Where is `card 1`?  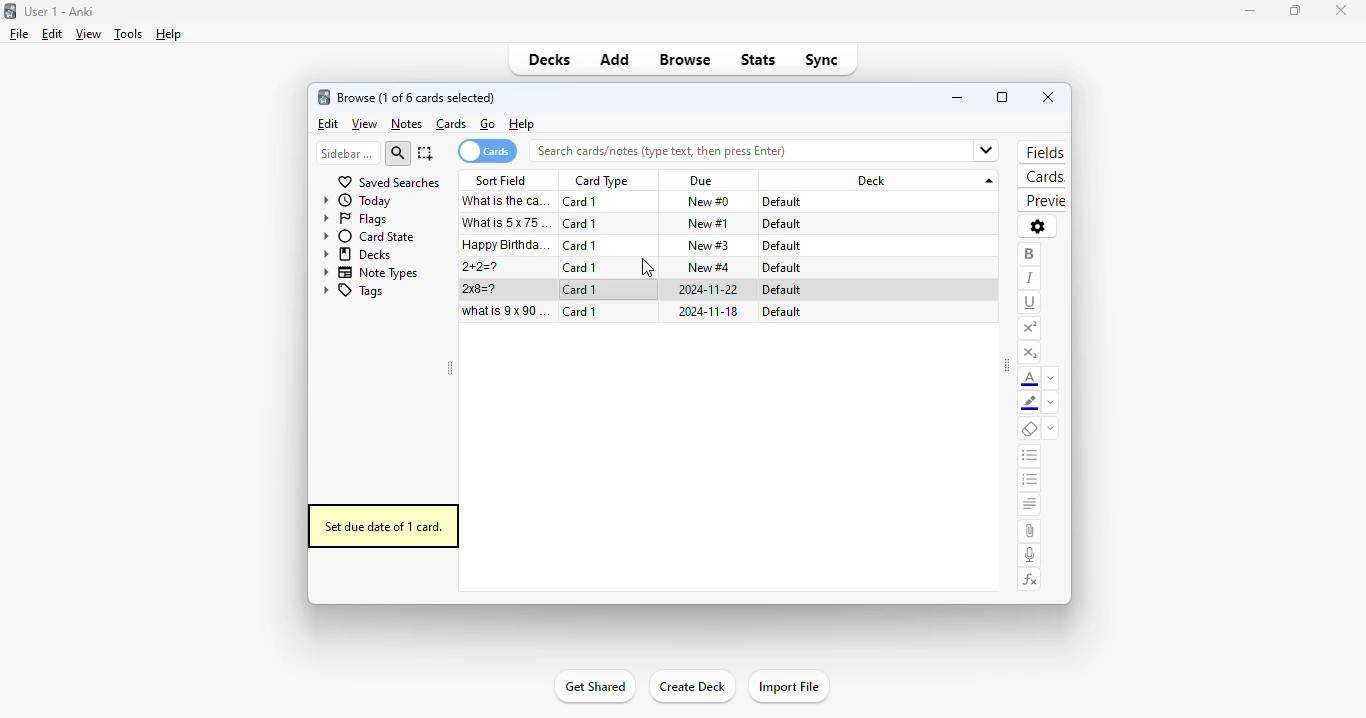
card 1 is located at coordinates (581, 202).